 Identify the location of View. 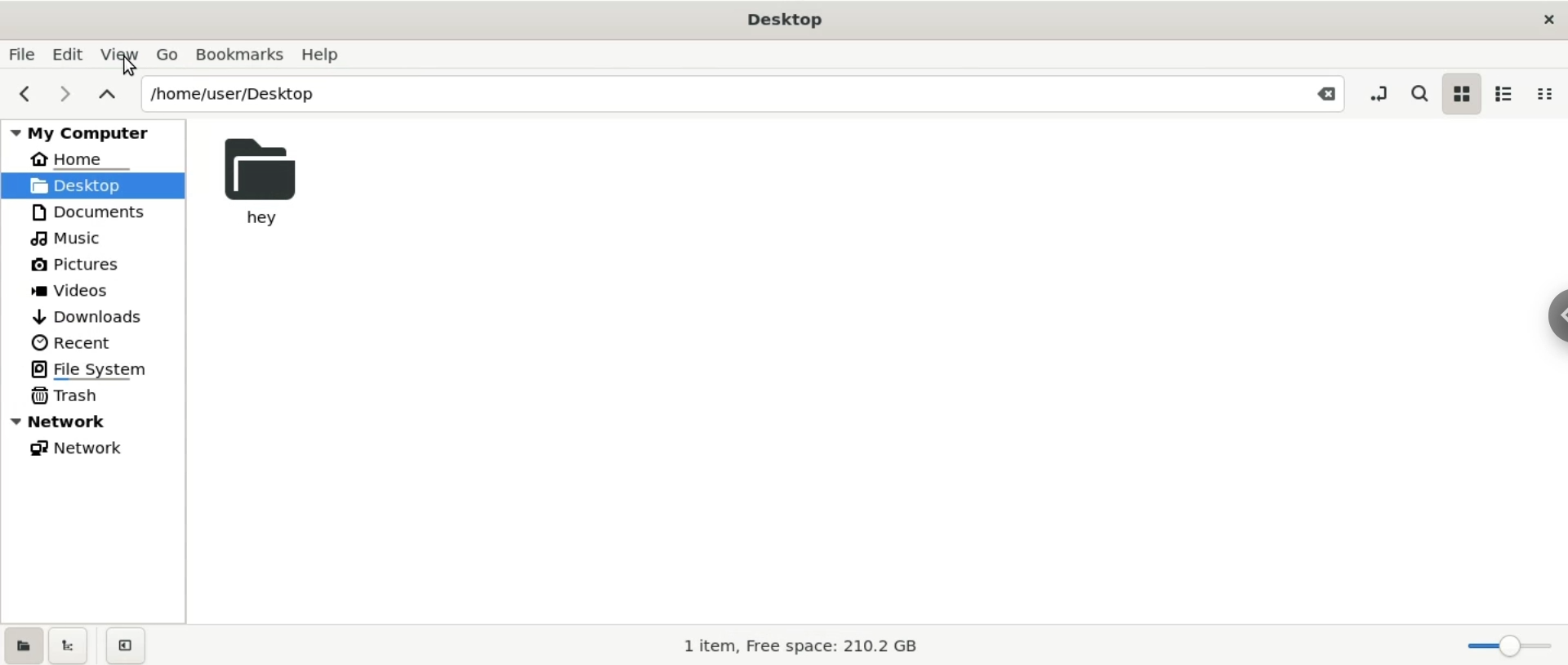
(118, 54).